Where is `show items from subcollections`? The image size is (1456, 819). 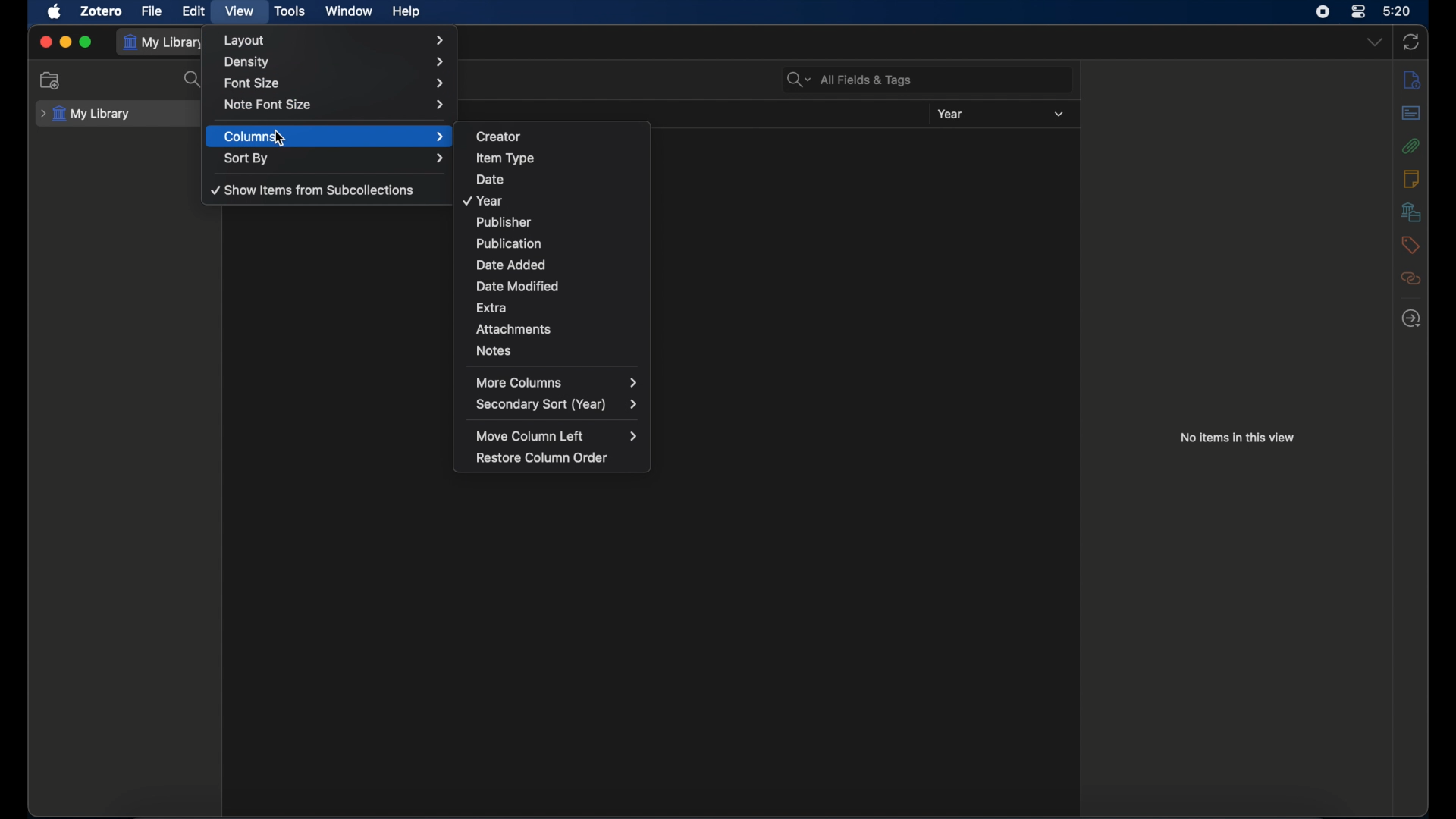 show items from subcollections is located at coordinates (314, 190).